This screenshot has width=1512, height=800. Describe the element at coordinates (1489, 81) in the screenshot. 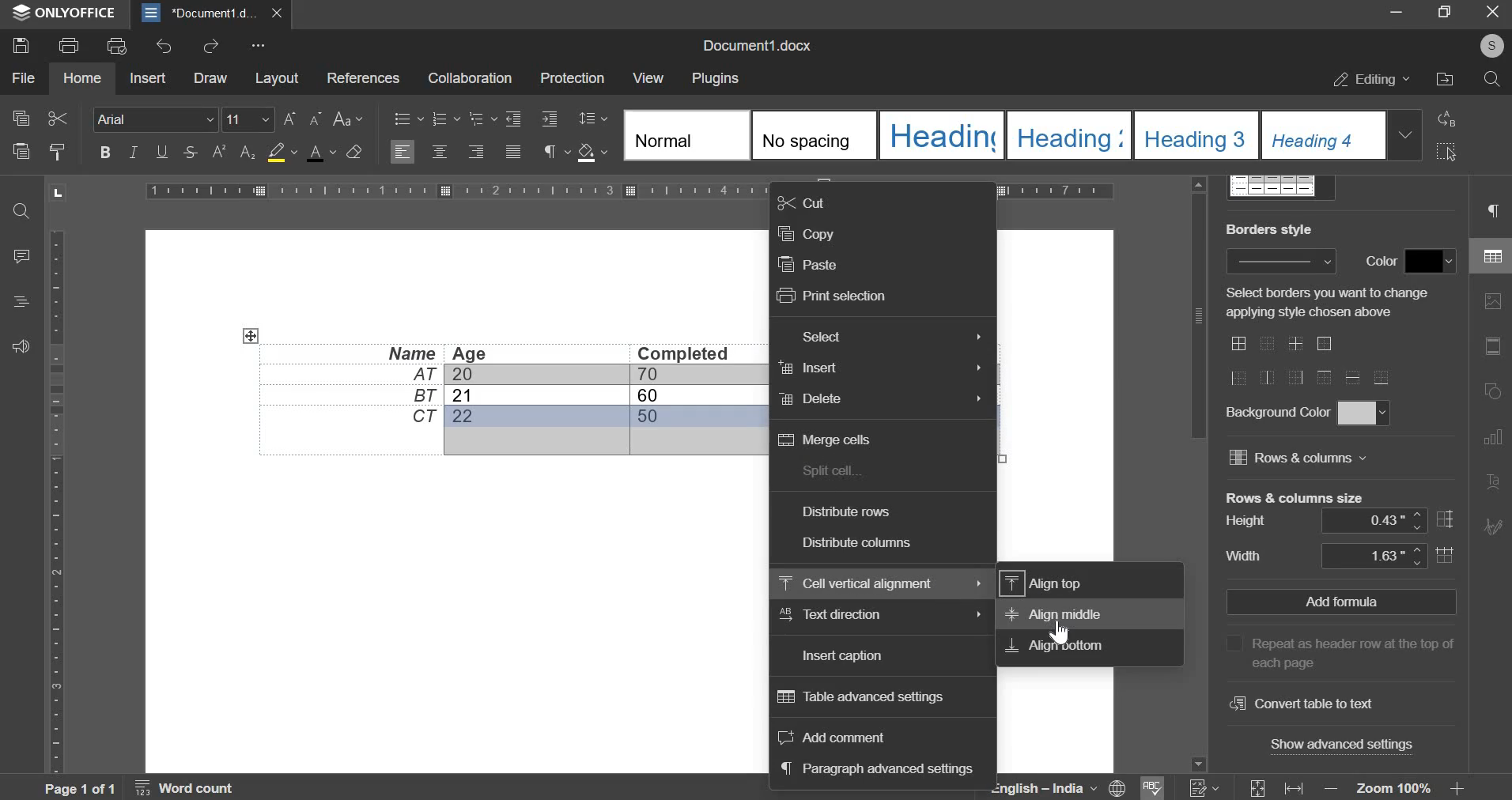

I see `search` at that location.